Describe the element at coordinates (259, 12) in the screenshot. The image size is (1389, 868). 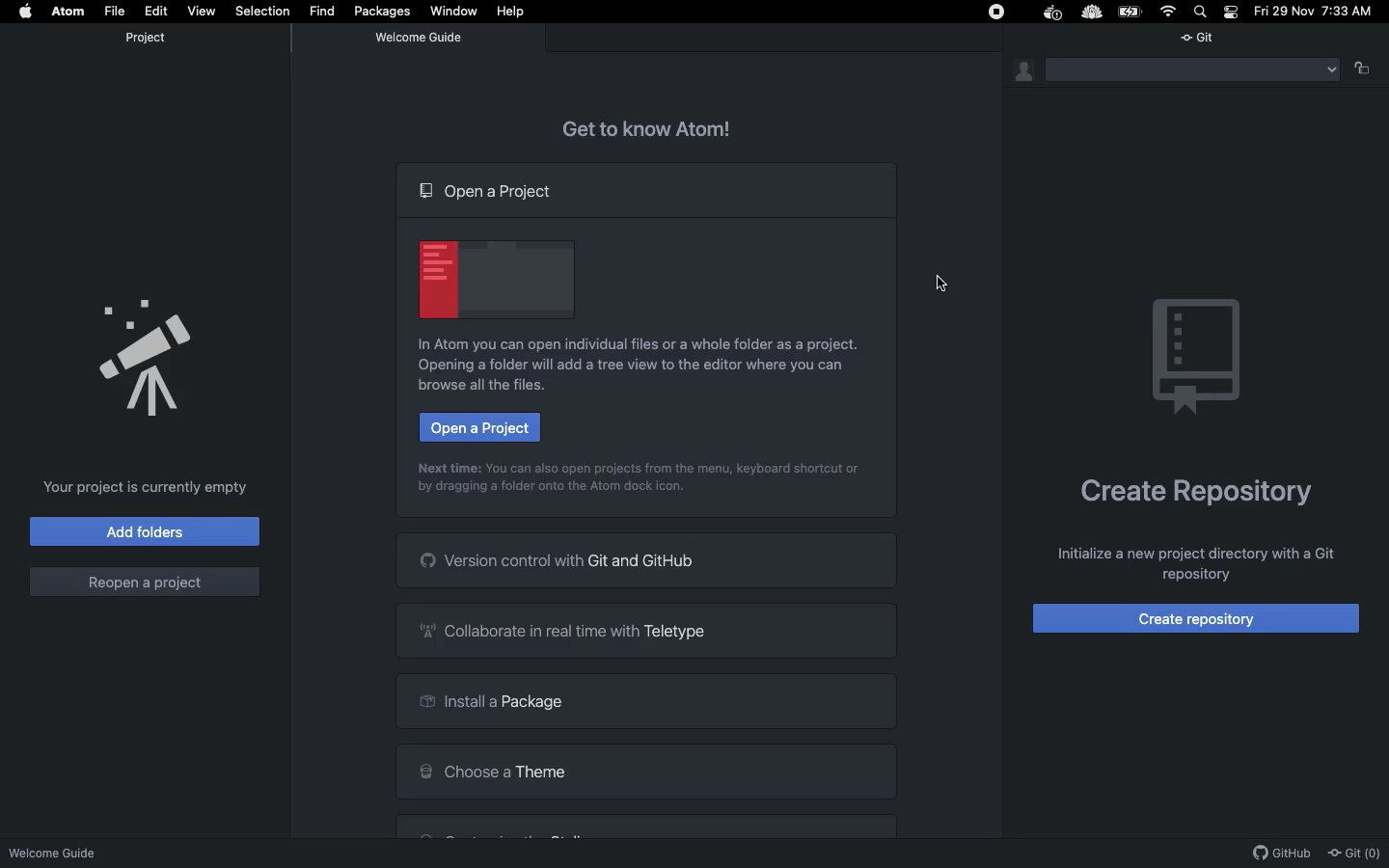
I see `Selection` at that location.